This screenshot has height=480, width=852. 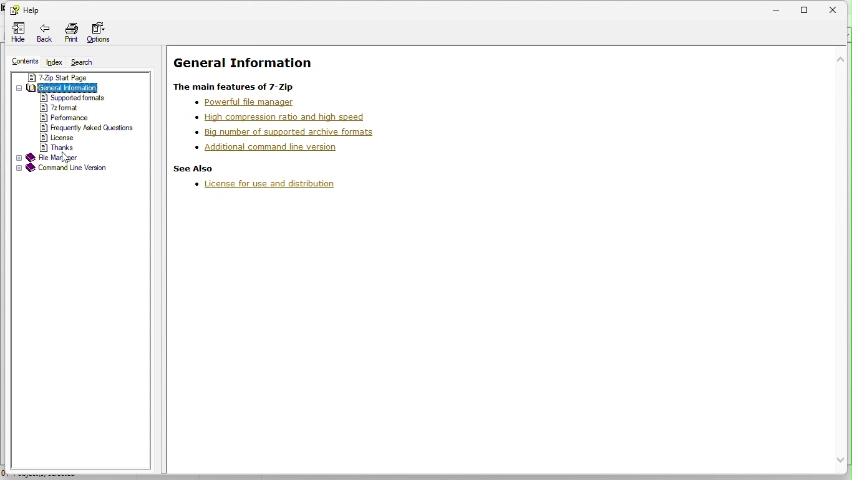 What do you see at coordinates (17, 33) in the screenshot?
I see `hide` at bounding box center [17, 33].